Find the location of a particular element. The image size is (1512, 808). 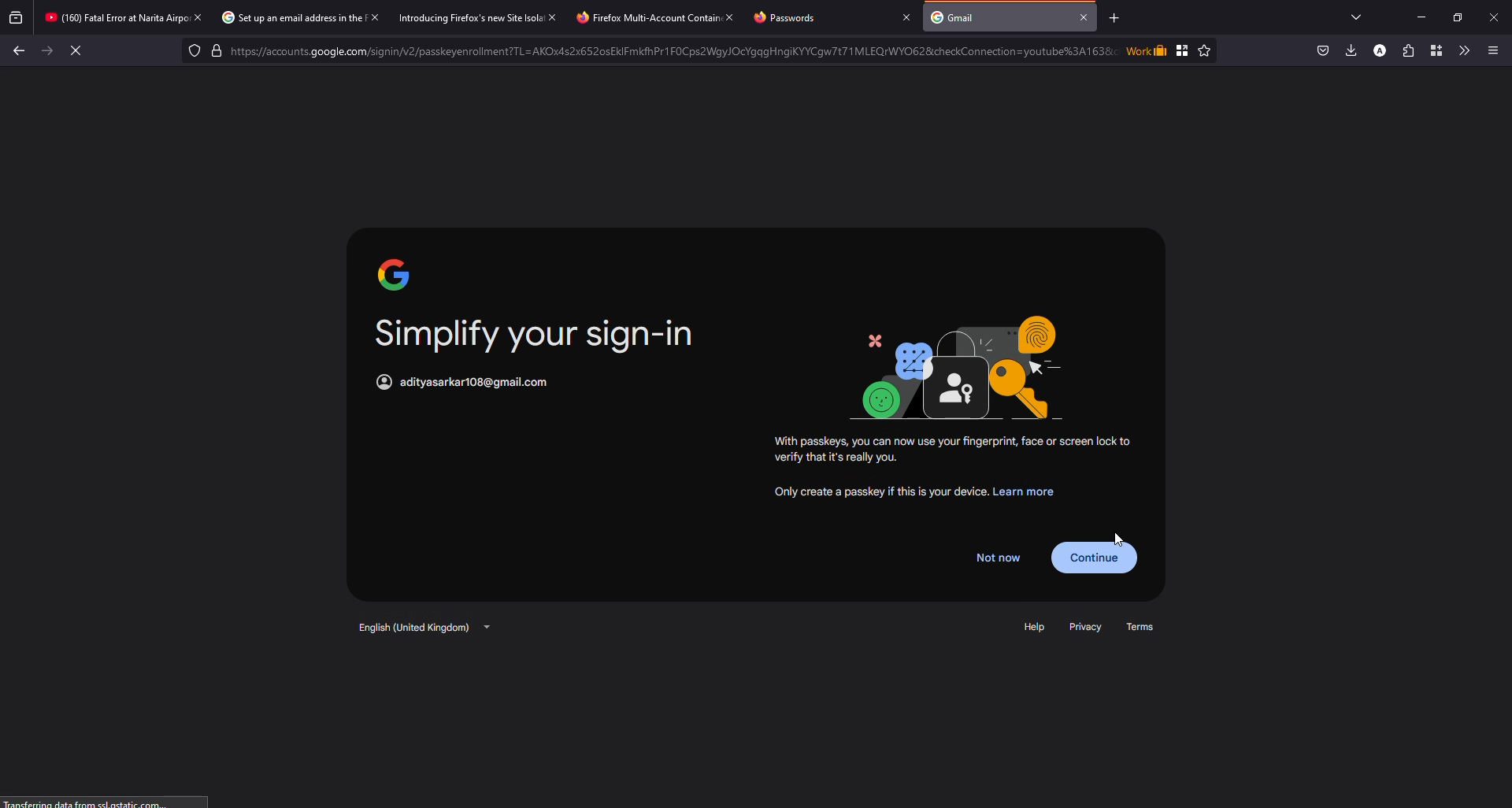

Forward is located at coordinates (46, 54).